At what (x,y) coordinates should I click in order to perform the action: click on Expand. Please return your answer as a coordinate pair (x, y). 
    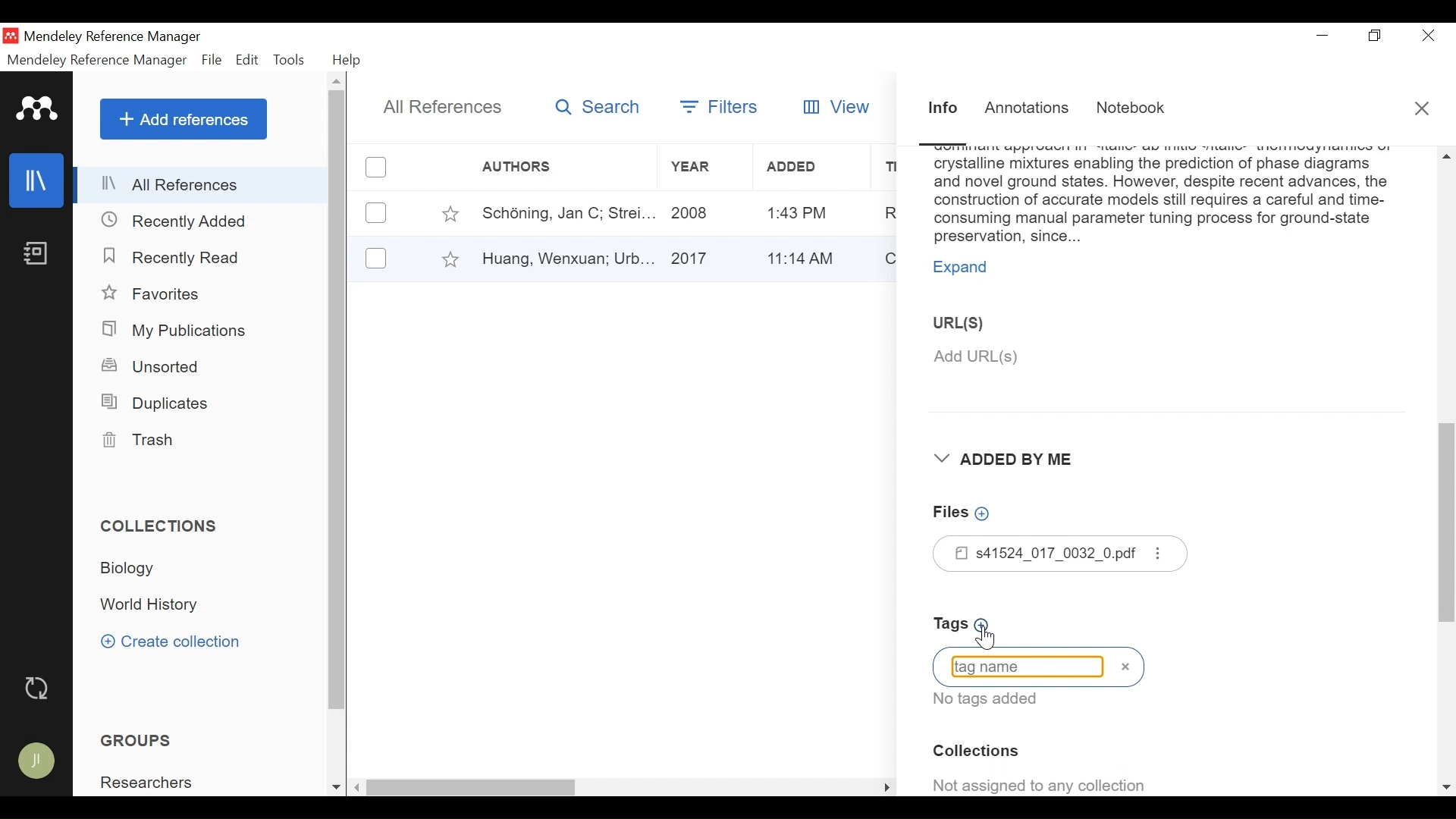
    Looking at the image, I should click on (966, 269).